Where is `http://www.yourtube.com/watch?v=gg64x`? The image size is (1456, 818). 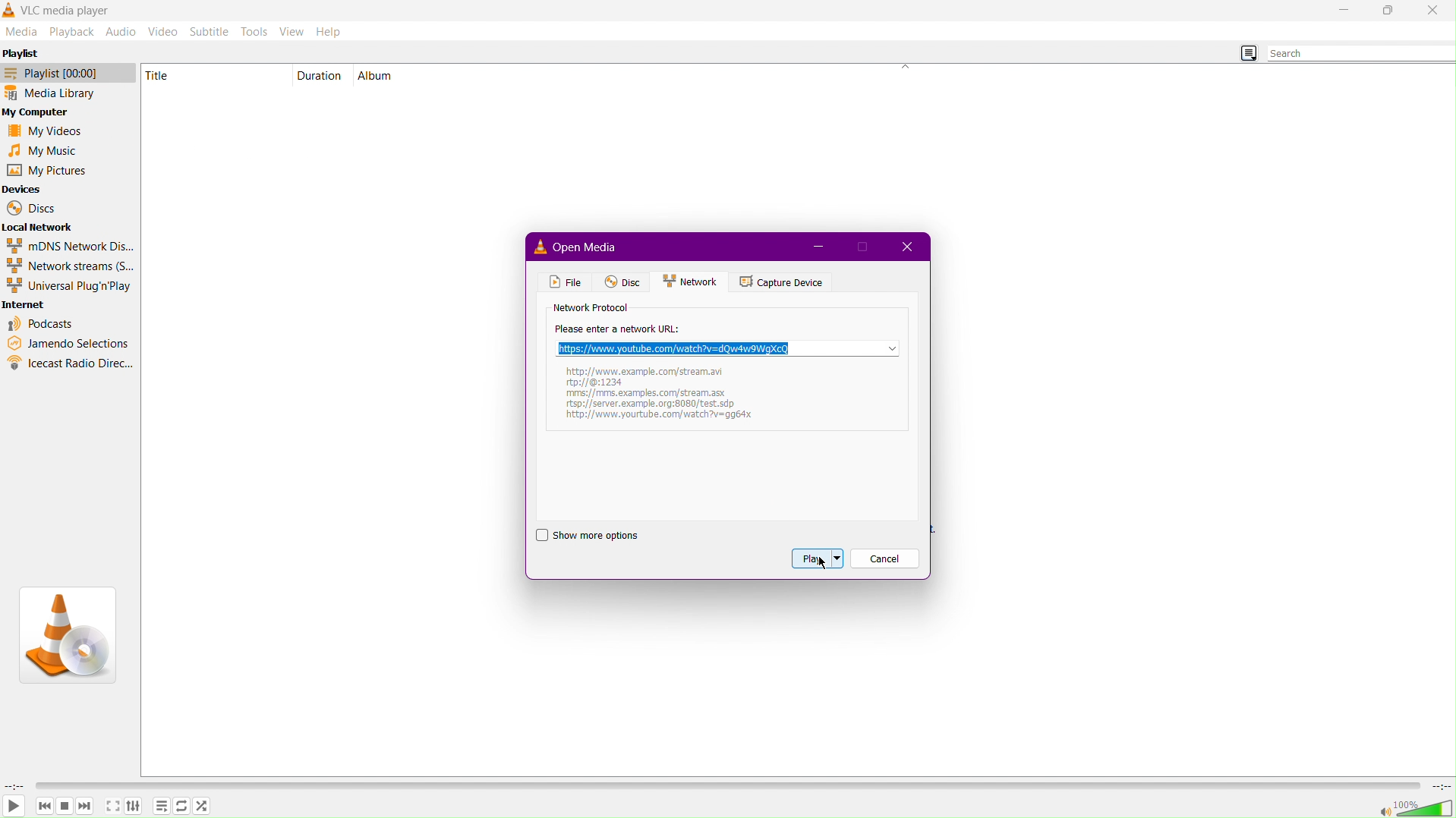 http://www.yourtube.com/watch?v=gg64x is located at coordinates (659, 407).